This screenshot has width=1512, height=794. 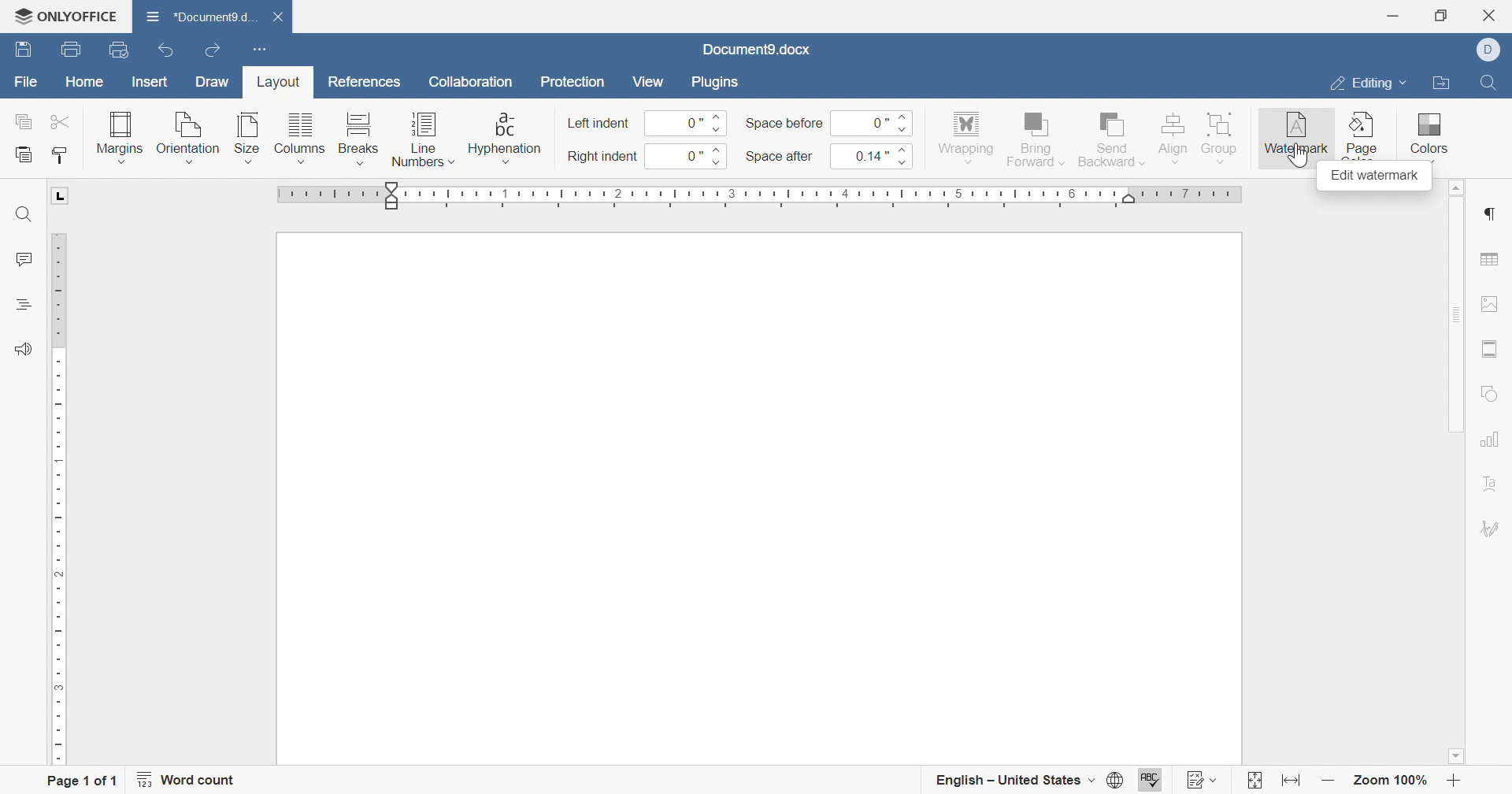 What do you see at coordinates (24, 155) in the screenshot?
I see `paste` at bounding box center [24, 155].